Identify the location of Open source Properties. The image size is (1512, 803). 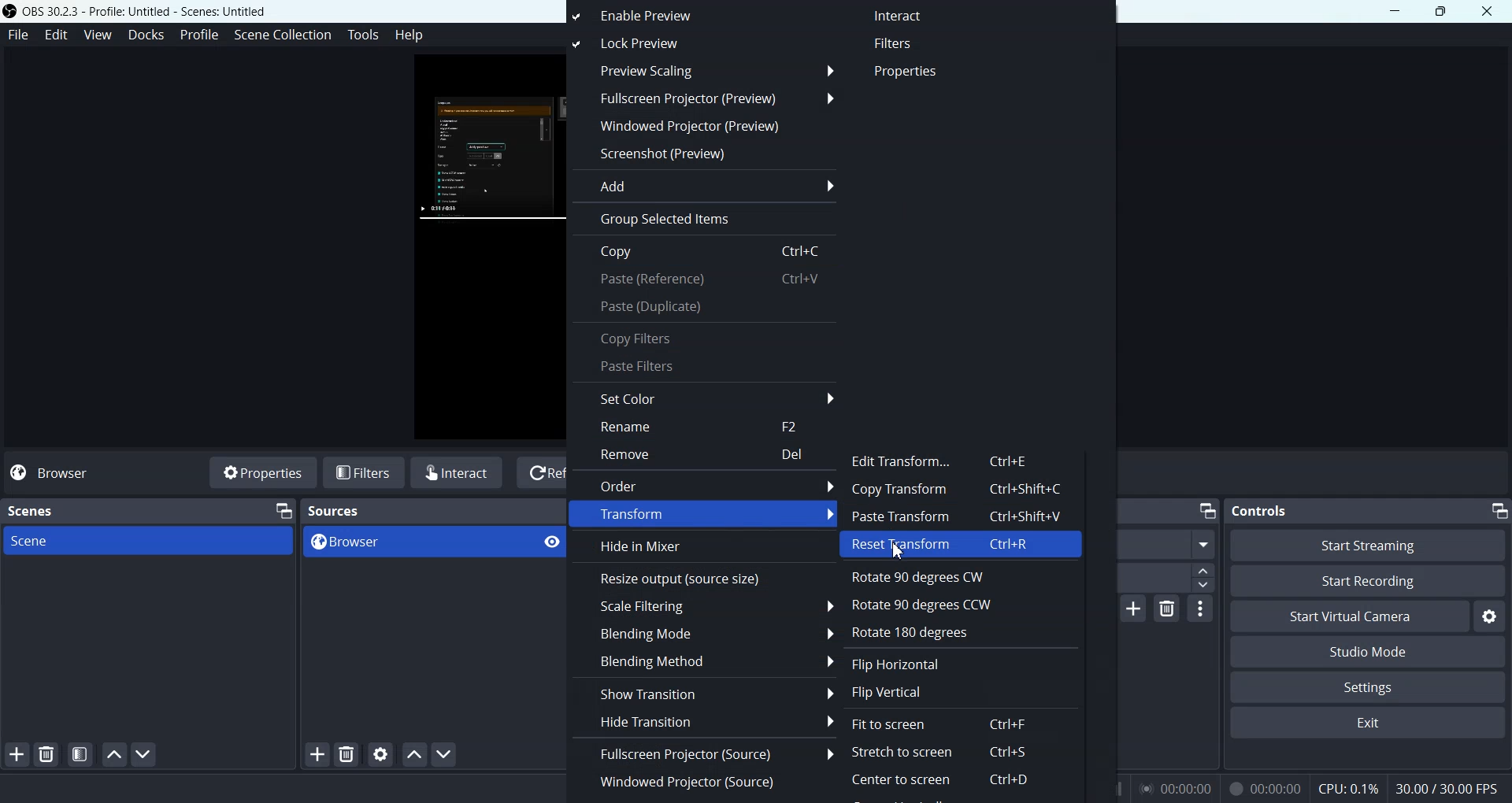
(380, 754).